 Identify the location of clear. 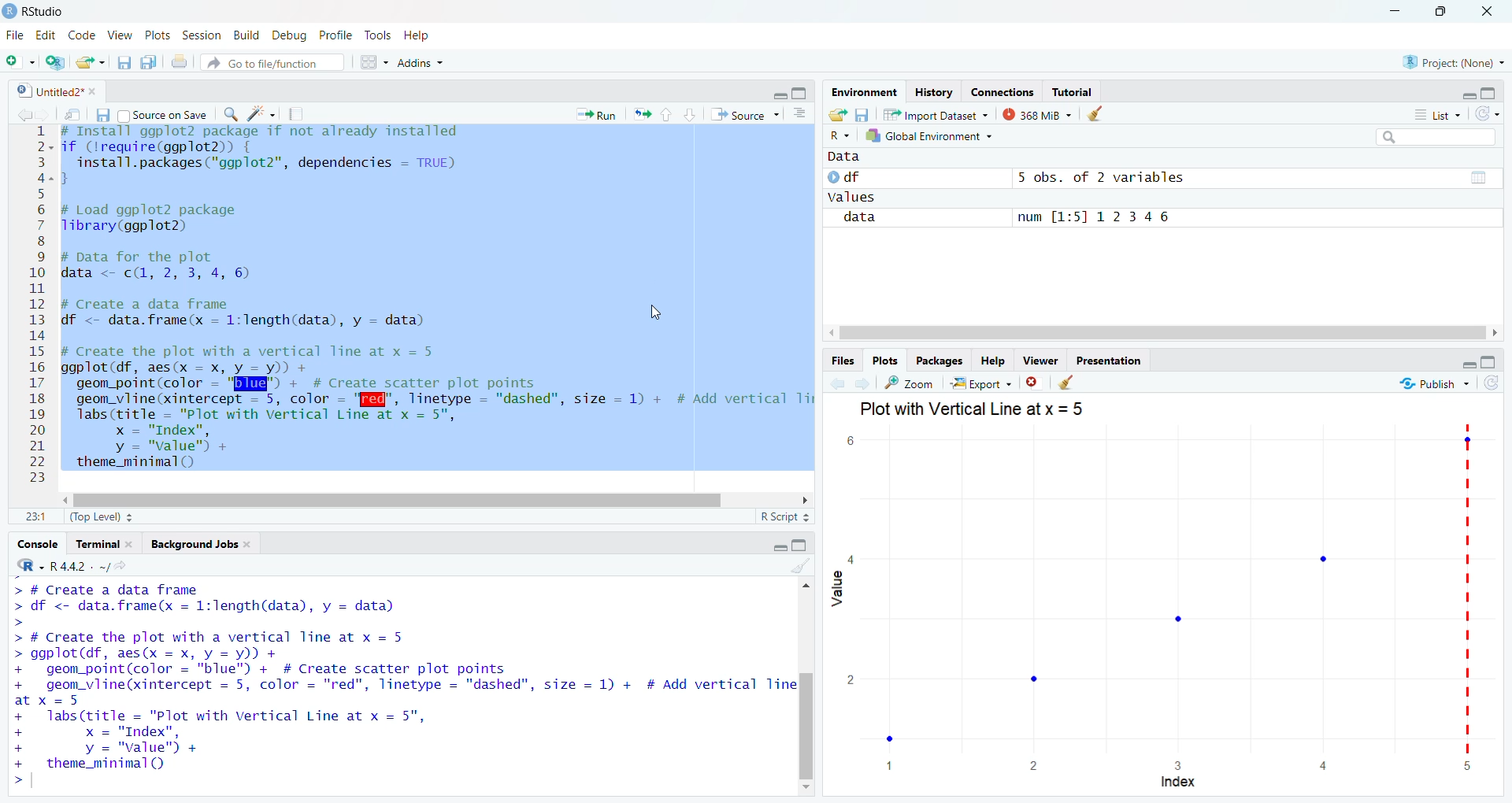
(797, 566).